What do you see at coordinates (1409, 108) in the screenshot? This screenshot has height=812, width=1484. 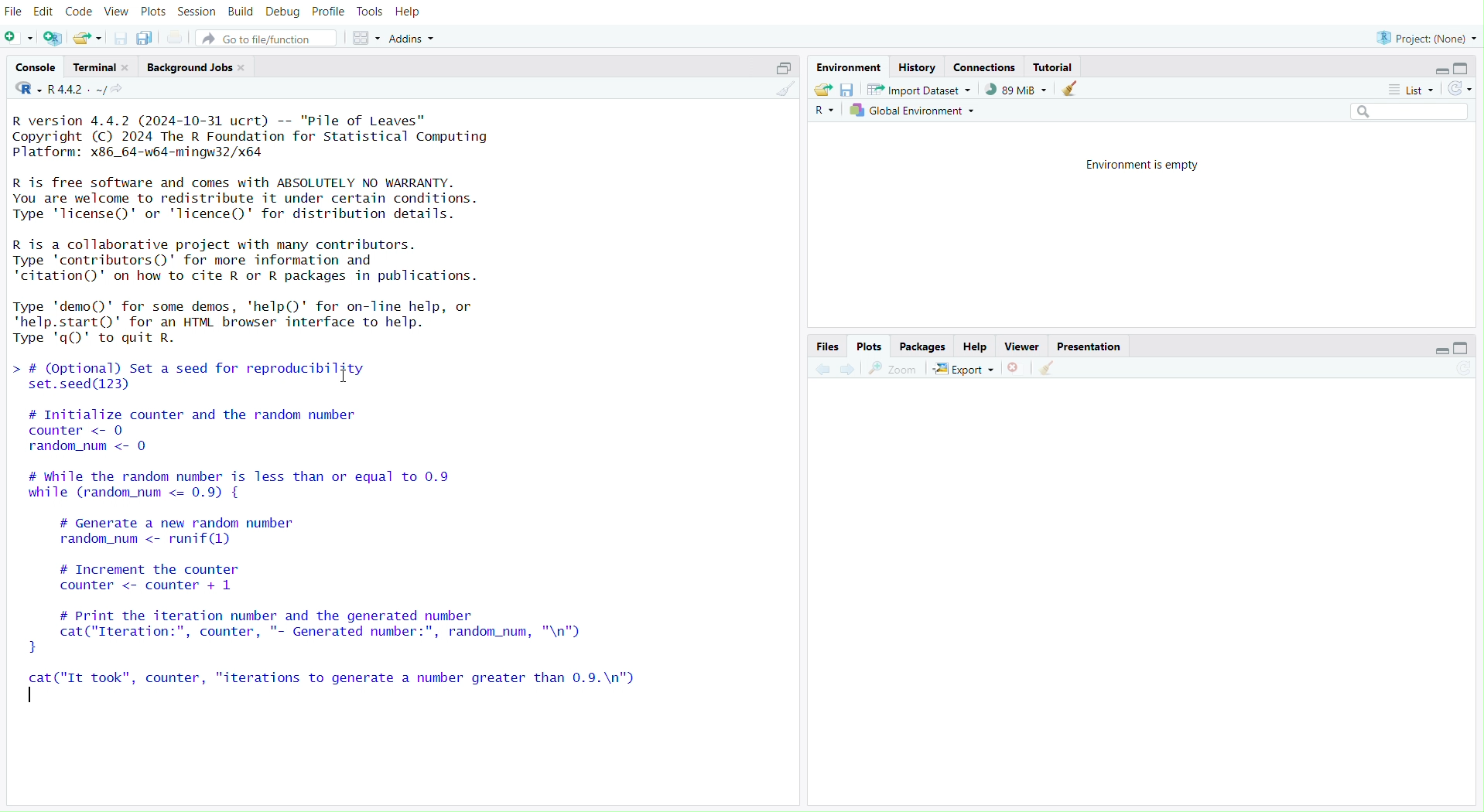 I see `Search bar` at bounding box center [1409, 108].